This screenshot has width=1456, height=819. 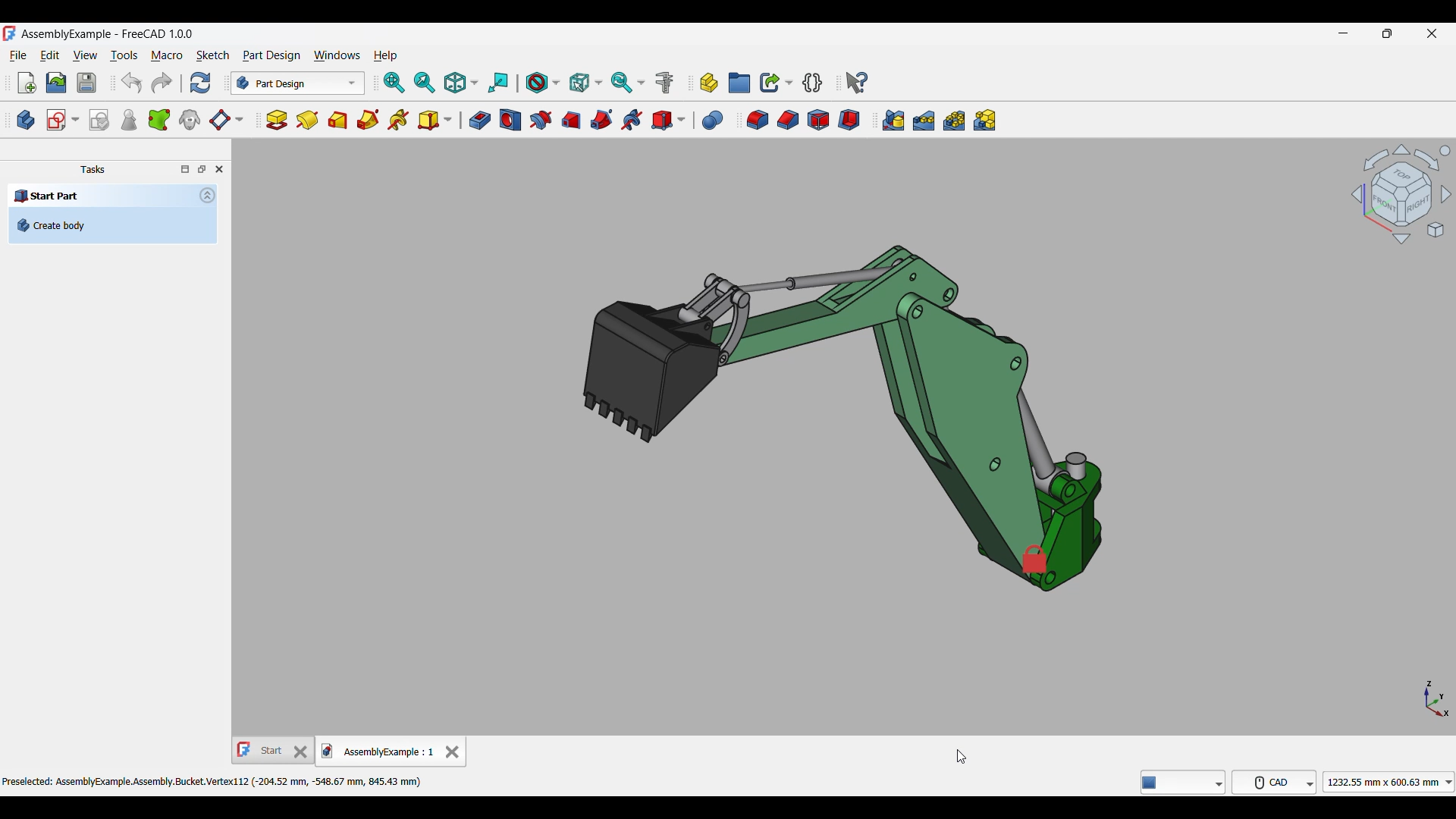 What do you see at coordinates (848, 435) in the screenshot?
I see `background with color selected` at bounding box center [848, 435].